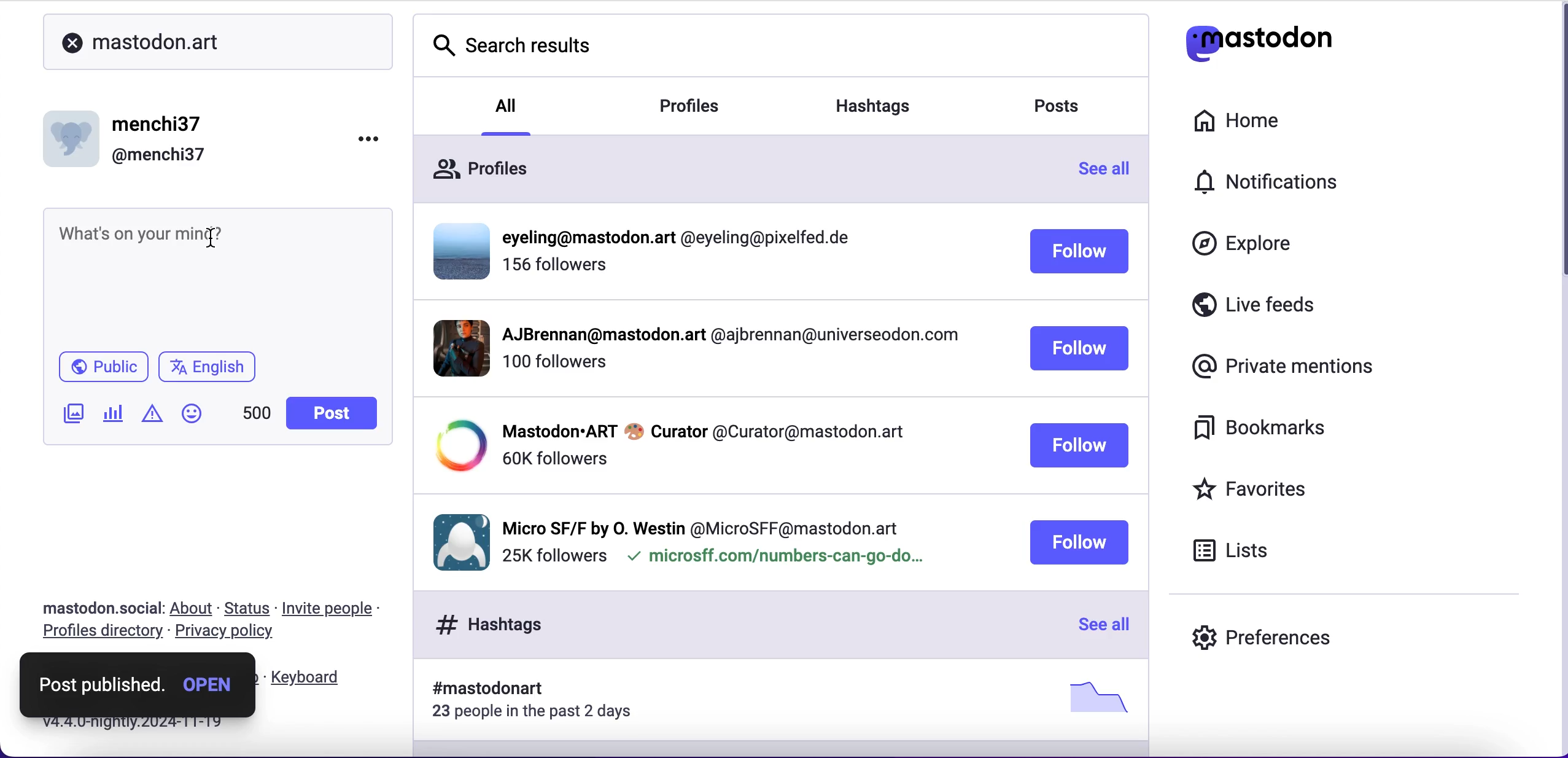 The image size is (1568, 758). I want to click on display picture, so click(456, 540).